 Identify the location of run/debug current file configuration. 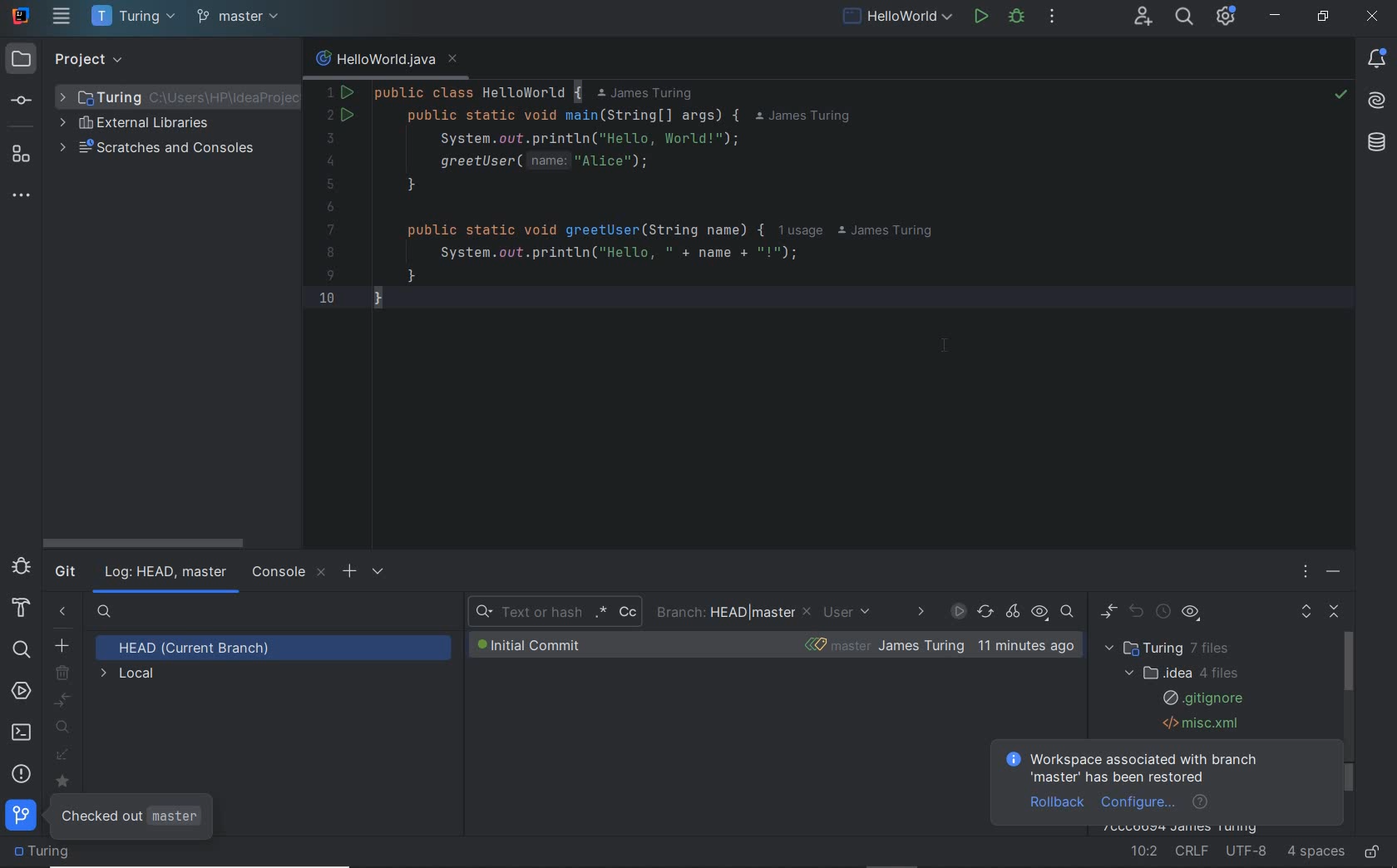
(896, 14).